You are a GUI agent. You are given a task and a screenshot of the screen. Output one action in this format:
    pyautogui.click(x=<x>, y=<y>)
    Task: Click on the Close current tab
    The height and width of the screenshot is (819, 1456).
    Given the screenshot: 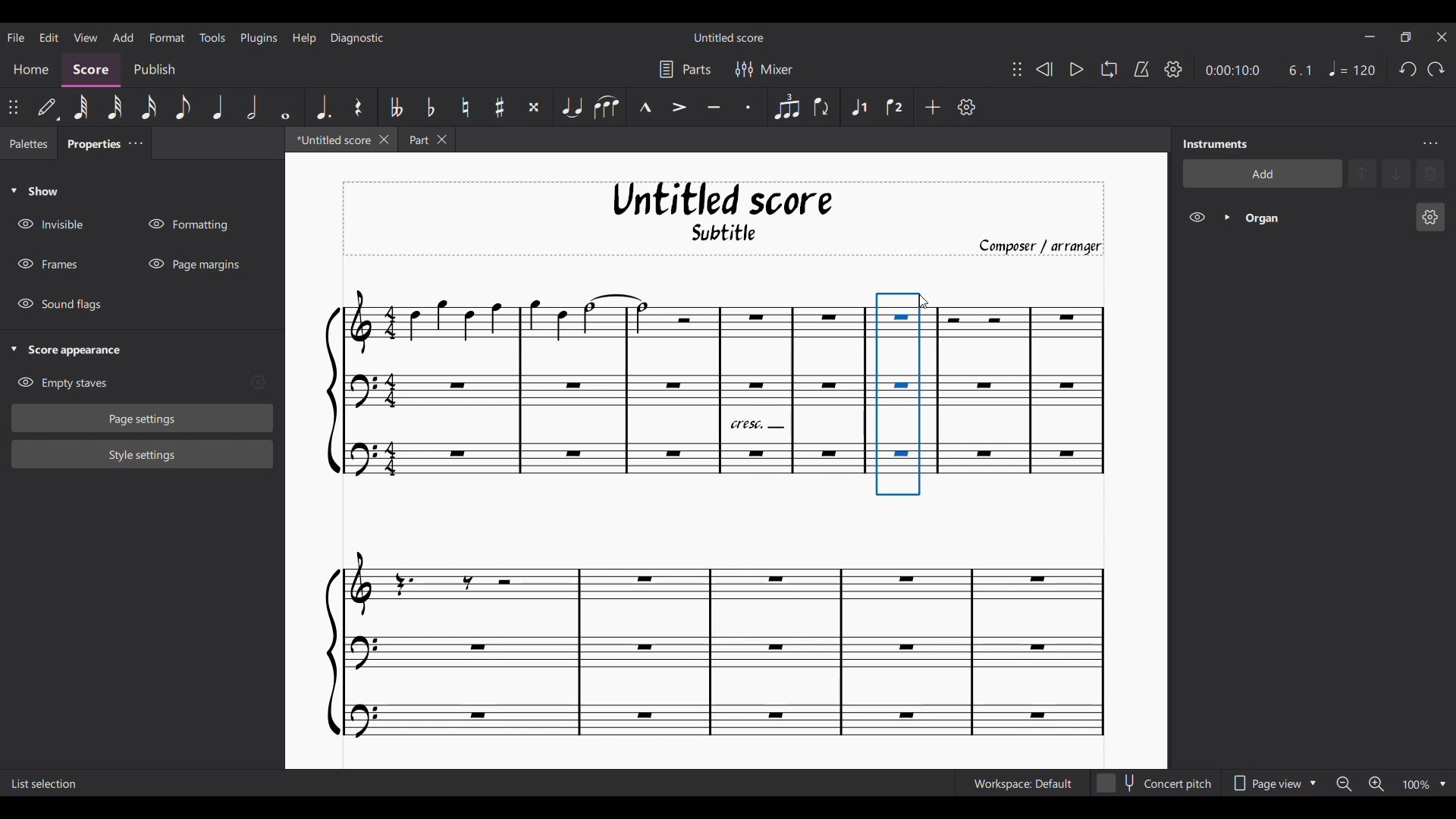 What is the action you would take?
    pyautogui.click(x=384, y=139)
    